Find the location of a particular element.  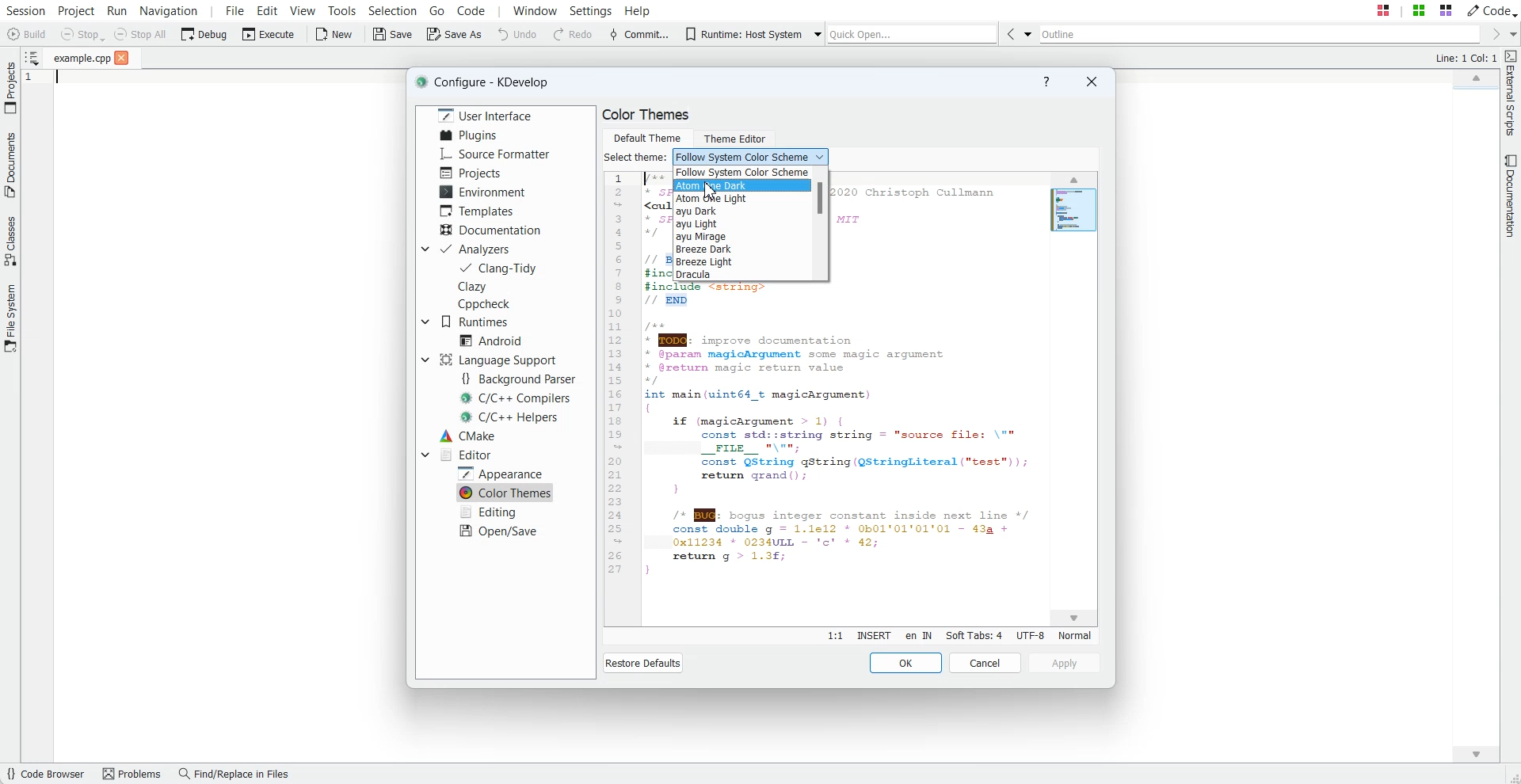

CppCheck is located at coordinates (487, 304).